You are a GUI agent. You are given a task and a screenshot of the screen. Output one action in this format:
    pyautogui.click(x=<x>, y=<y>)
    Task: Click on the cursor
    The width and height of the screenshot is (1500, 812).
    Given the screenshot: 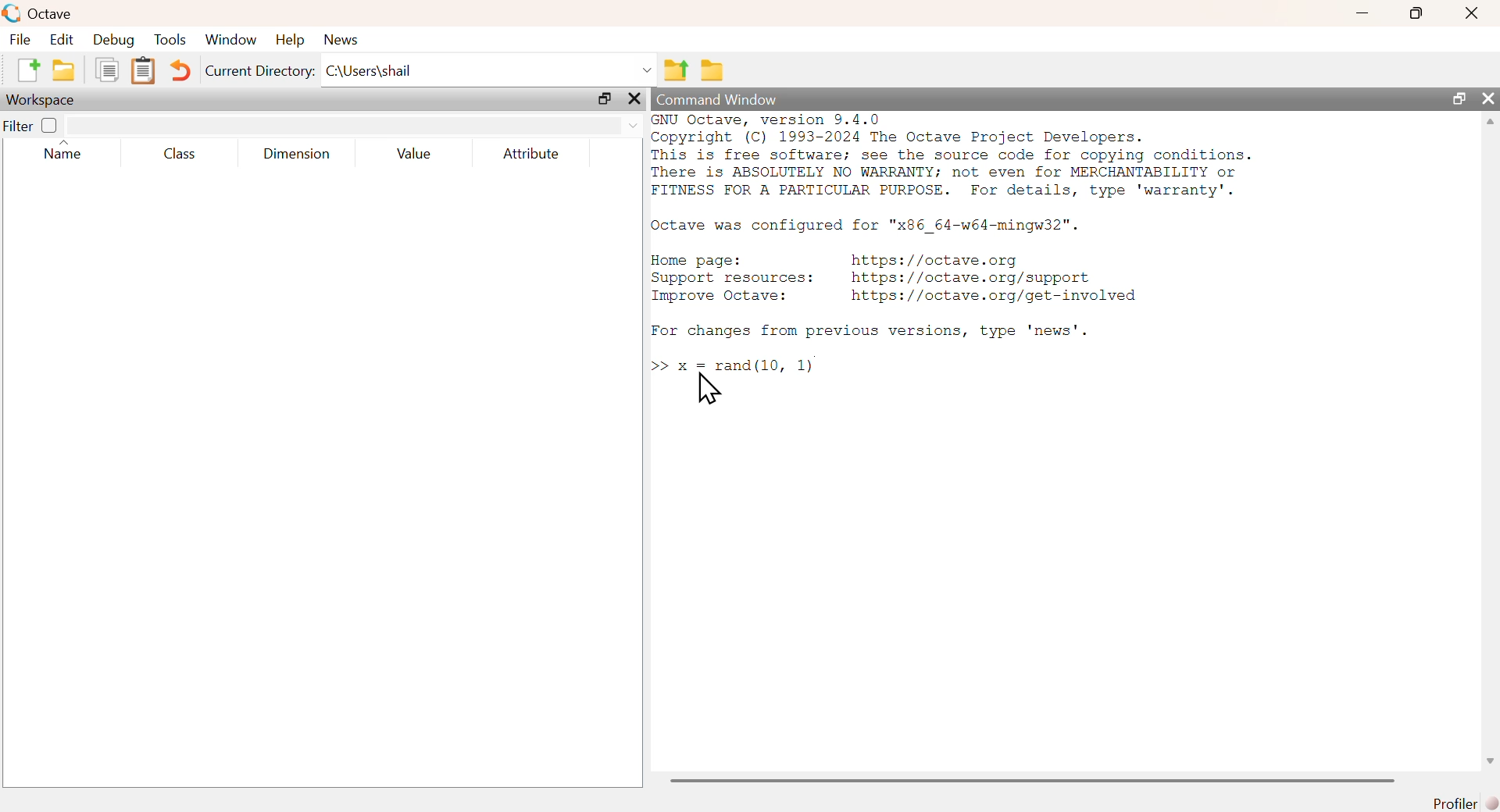 What is the action you would take?
    pyautogui.click(x=709, y=388)
    